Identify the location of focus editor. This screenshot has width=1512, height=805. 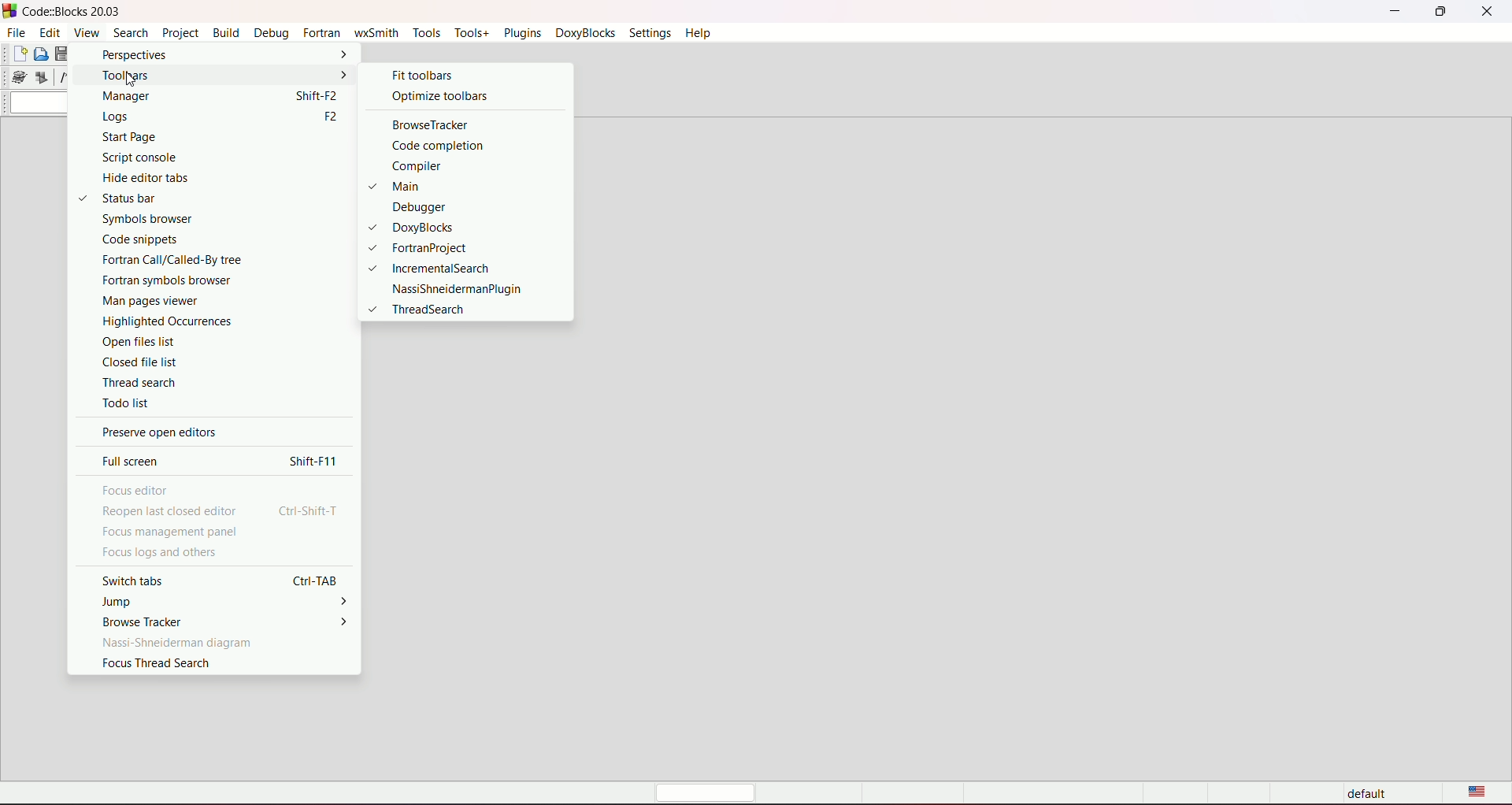
(135, 489).